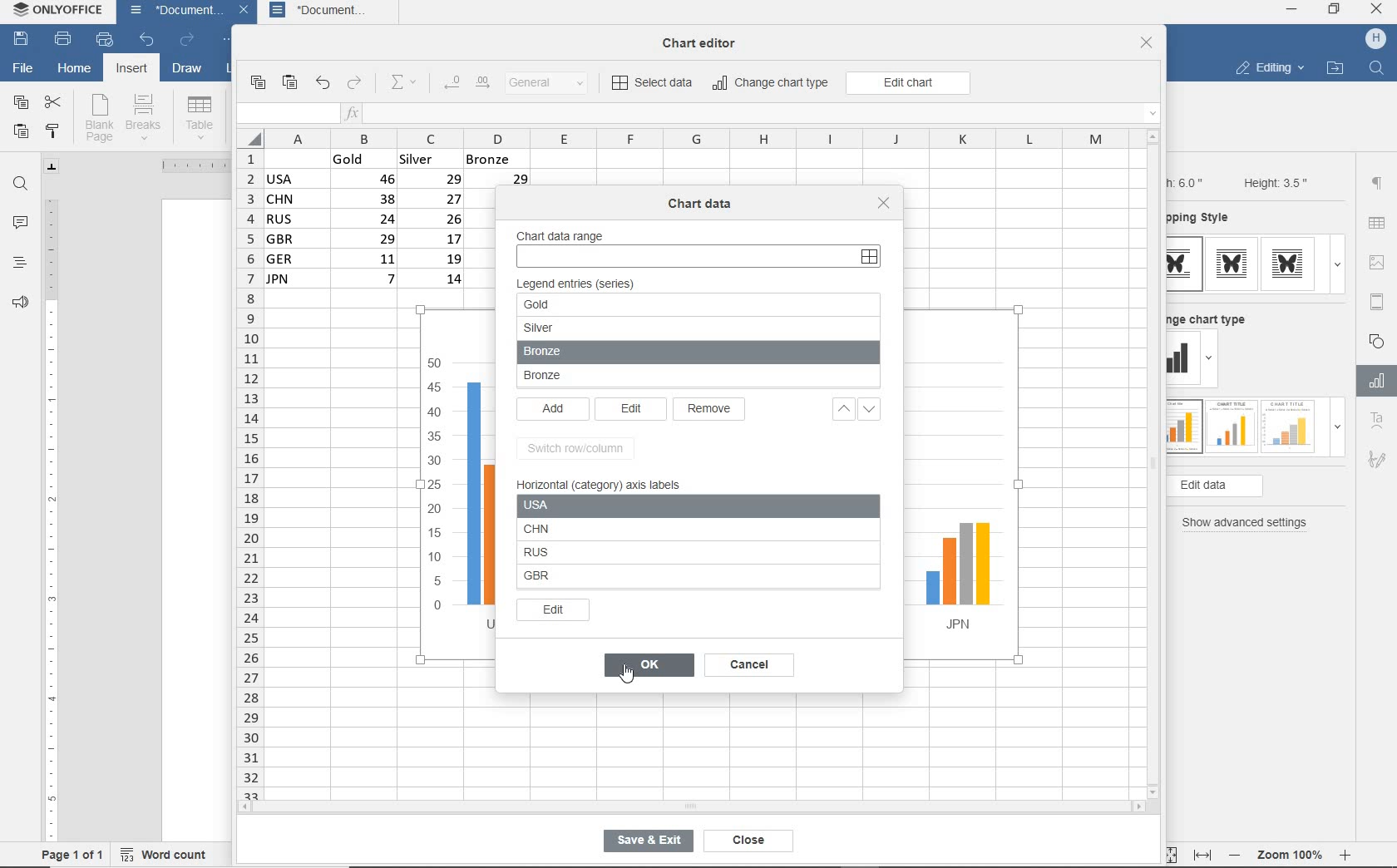 Image resolution: width=1397 pixels, height=868 pixels. What do you see at coordinates (645, 844) in the screenshot?
I see `save & exit` at bounding box center [645, 844].